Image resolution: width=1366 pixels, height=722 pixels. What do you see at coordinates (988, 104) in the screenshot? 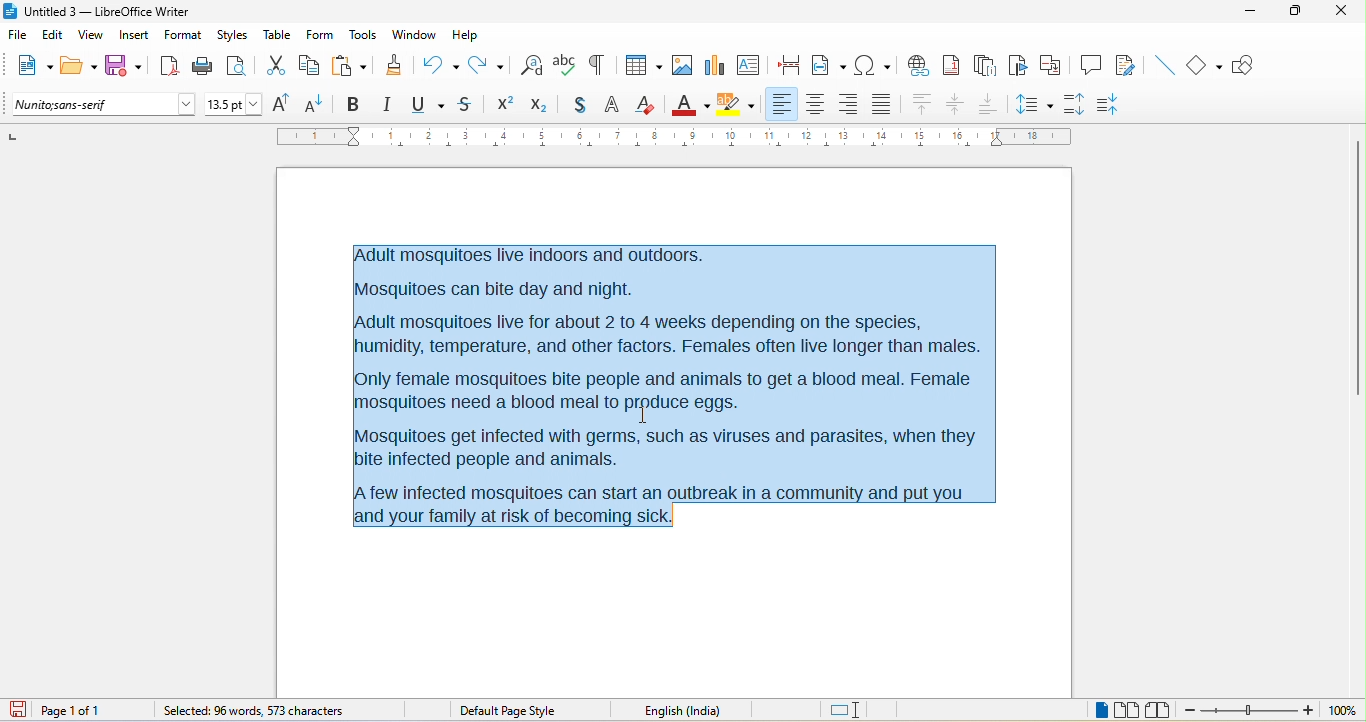
I see `align bottom` at bounding box center [988, 104].